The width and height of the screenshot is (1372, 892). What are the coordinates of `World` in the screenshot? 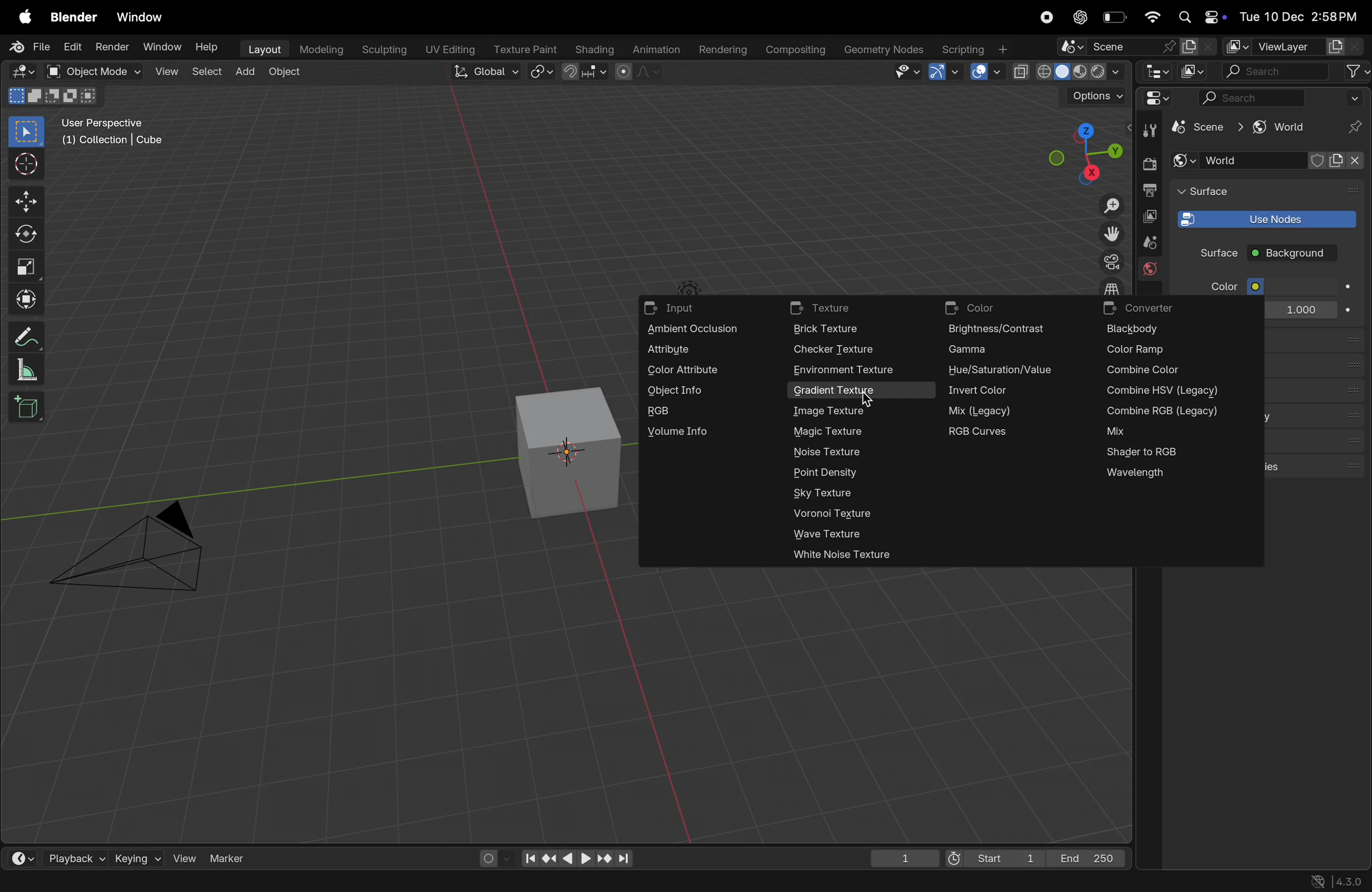 It's located at (1239, 161).